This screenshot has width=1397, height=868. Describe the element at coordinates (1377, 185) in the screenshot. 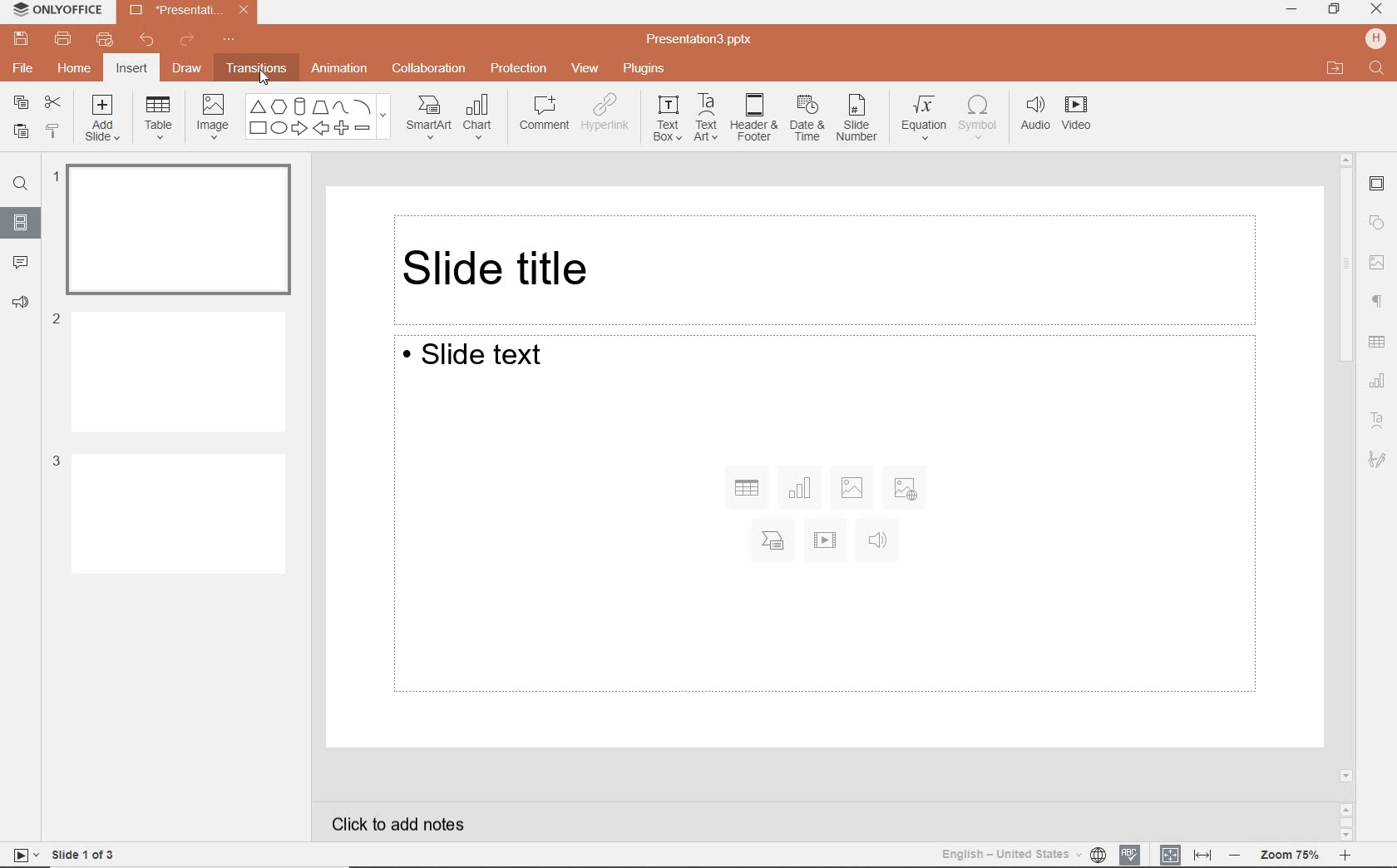

I see `slide settings` at that location.